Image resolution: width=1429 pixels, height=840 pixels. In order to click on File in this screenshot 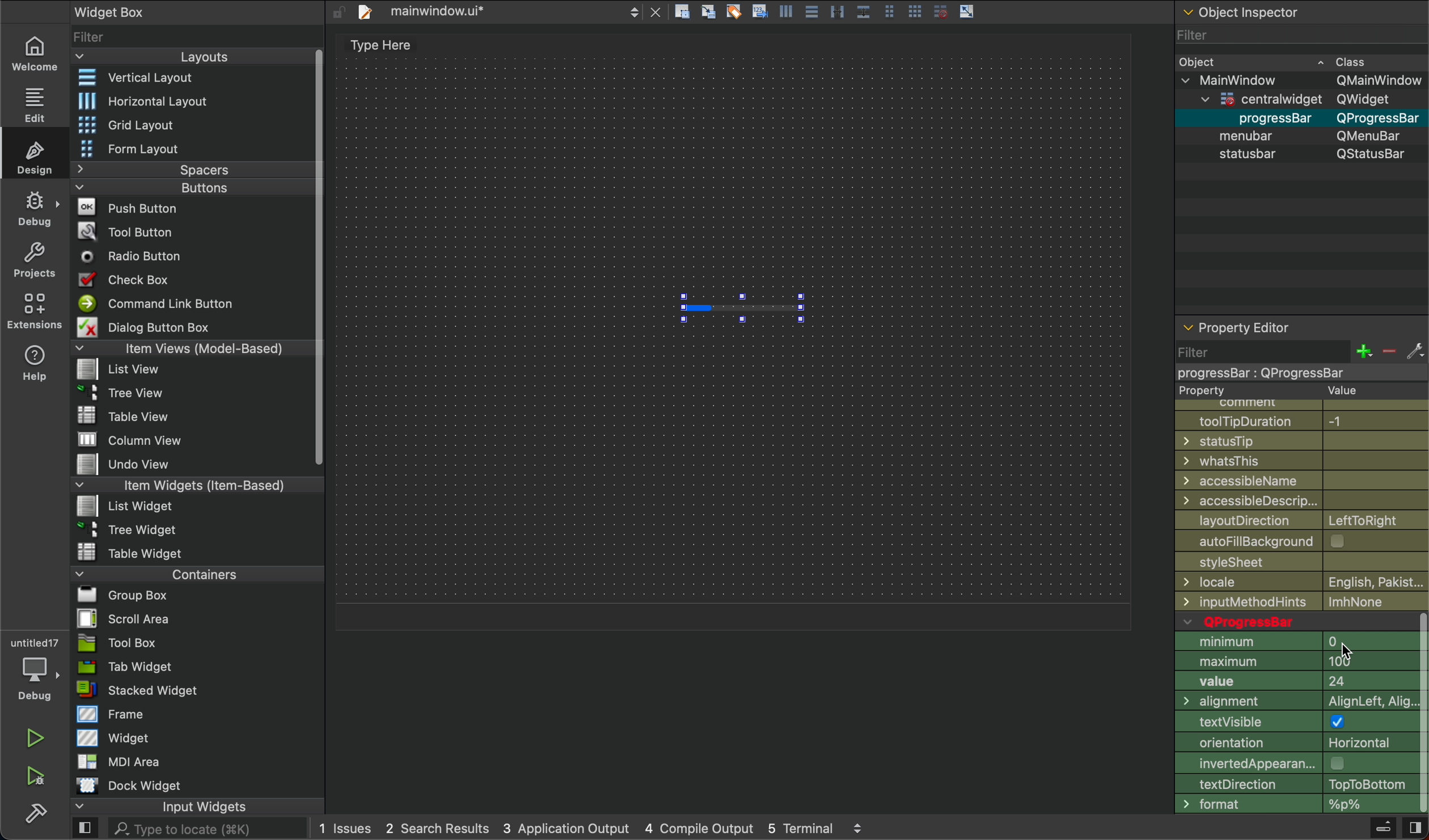, I will do `click(133, 440)`.